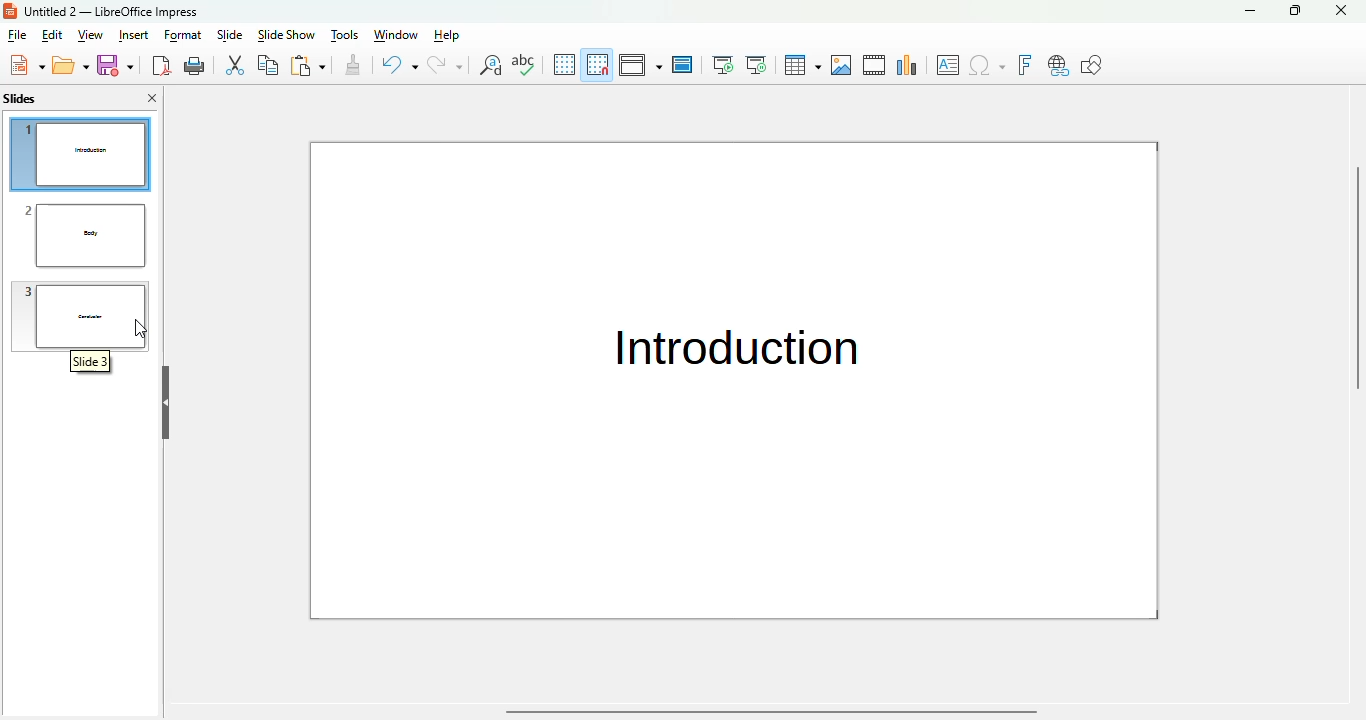  Describe the element at coordinates (523, 64) in the screenshot. I see `spelling` at that location.